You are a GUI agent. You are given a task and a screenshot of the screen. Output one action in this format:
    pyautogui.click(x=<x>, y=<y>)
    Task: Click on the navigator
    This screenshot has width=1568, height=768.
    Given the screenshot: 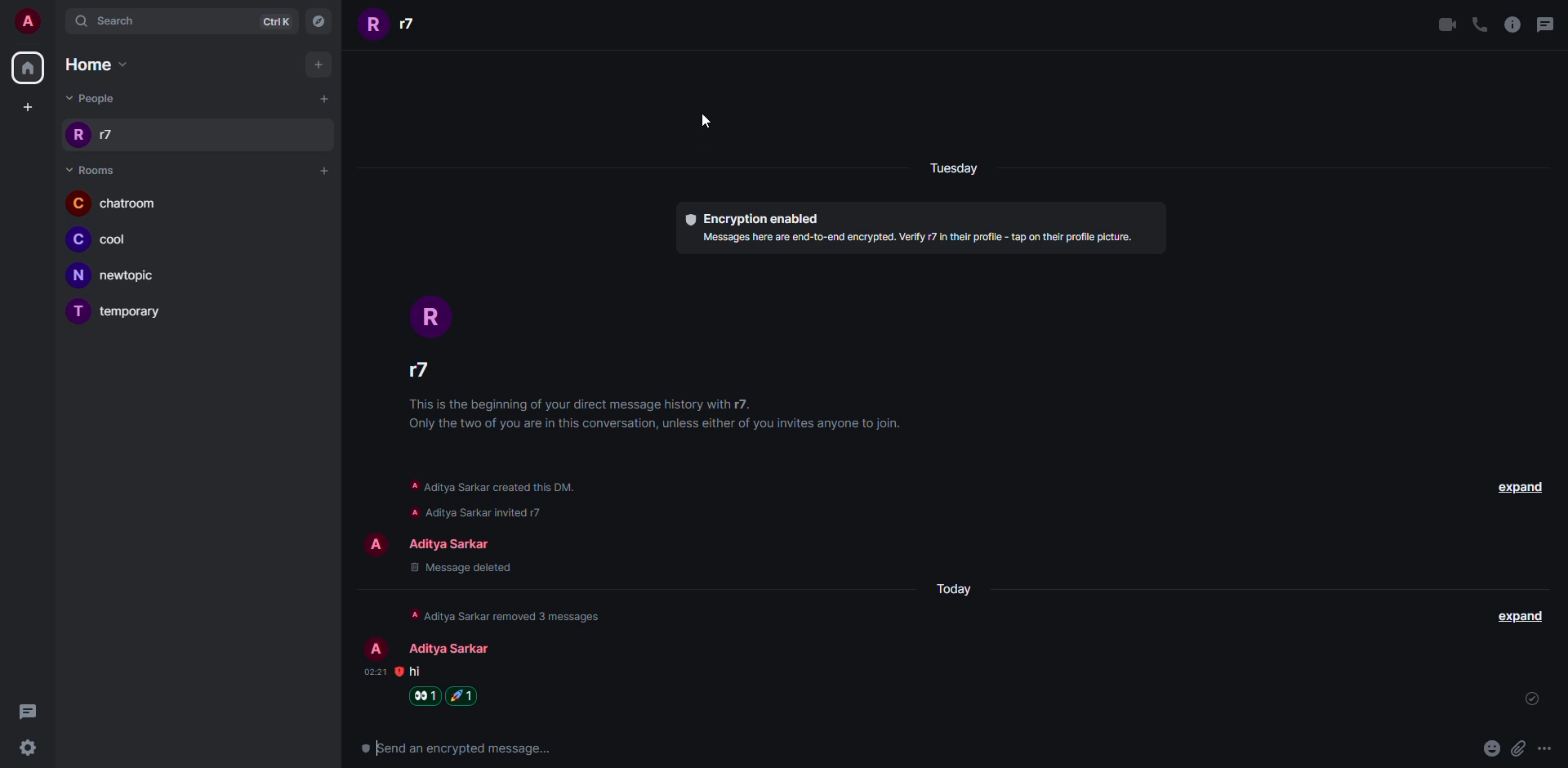 What is the action you would take?
    pyautogui.click(x=323, y=21)
    